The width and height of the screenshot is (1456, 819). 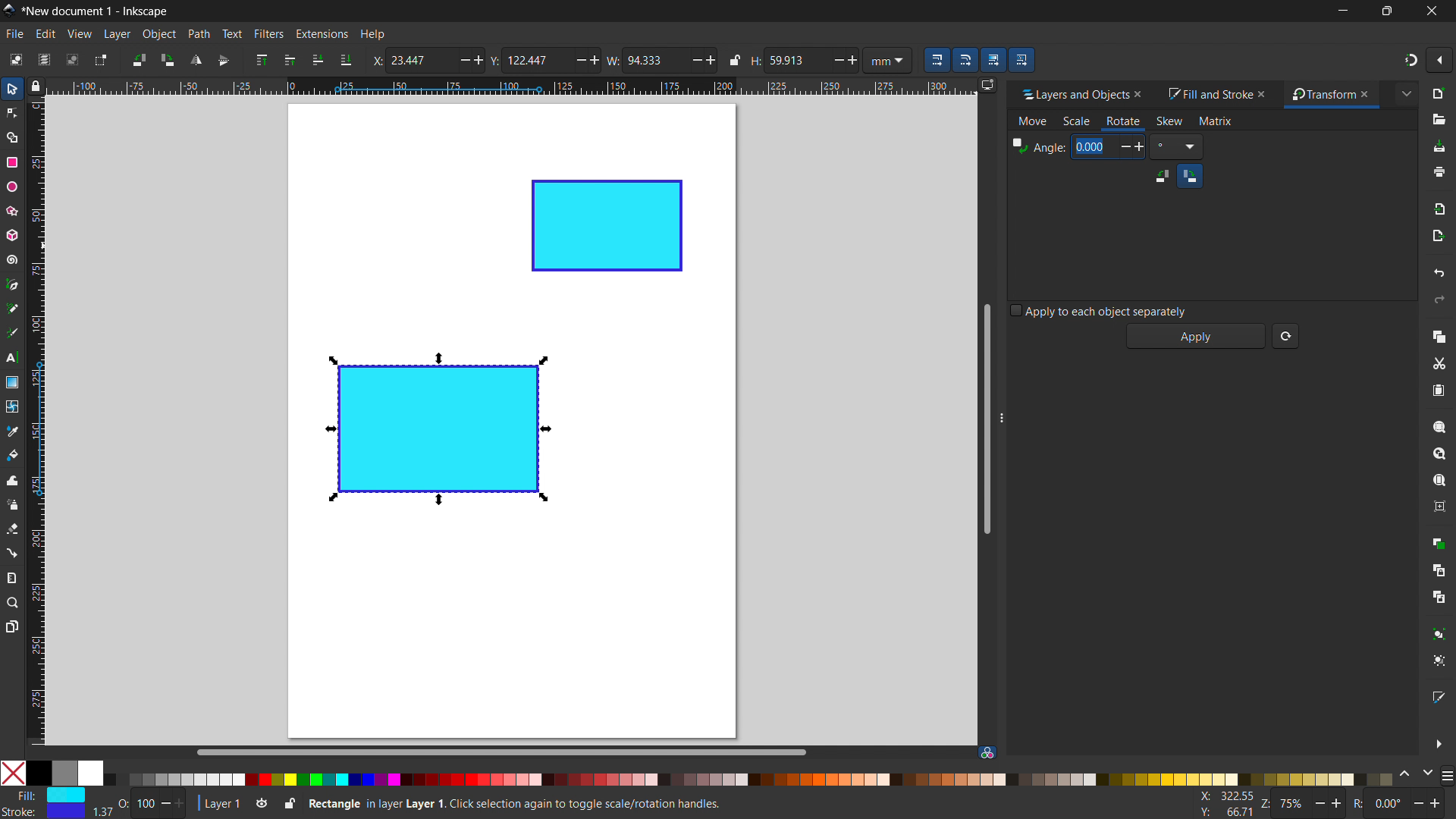 What do you see at coordinates (1021, 59) in the screenshot?
I see `move patterns along with the objects` at bounding box center [1021, 59].